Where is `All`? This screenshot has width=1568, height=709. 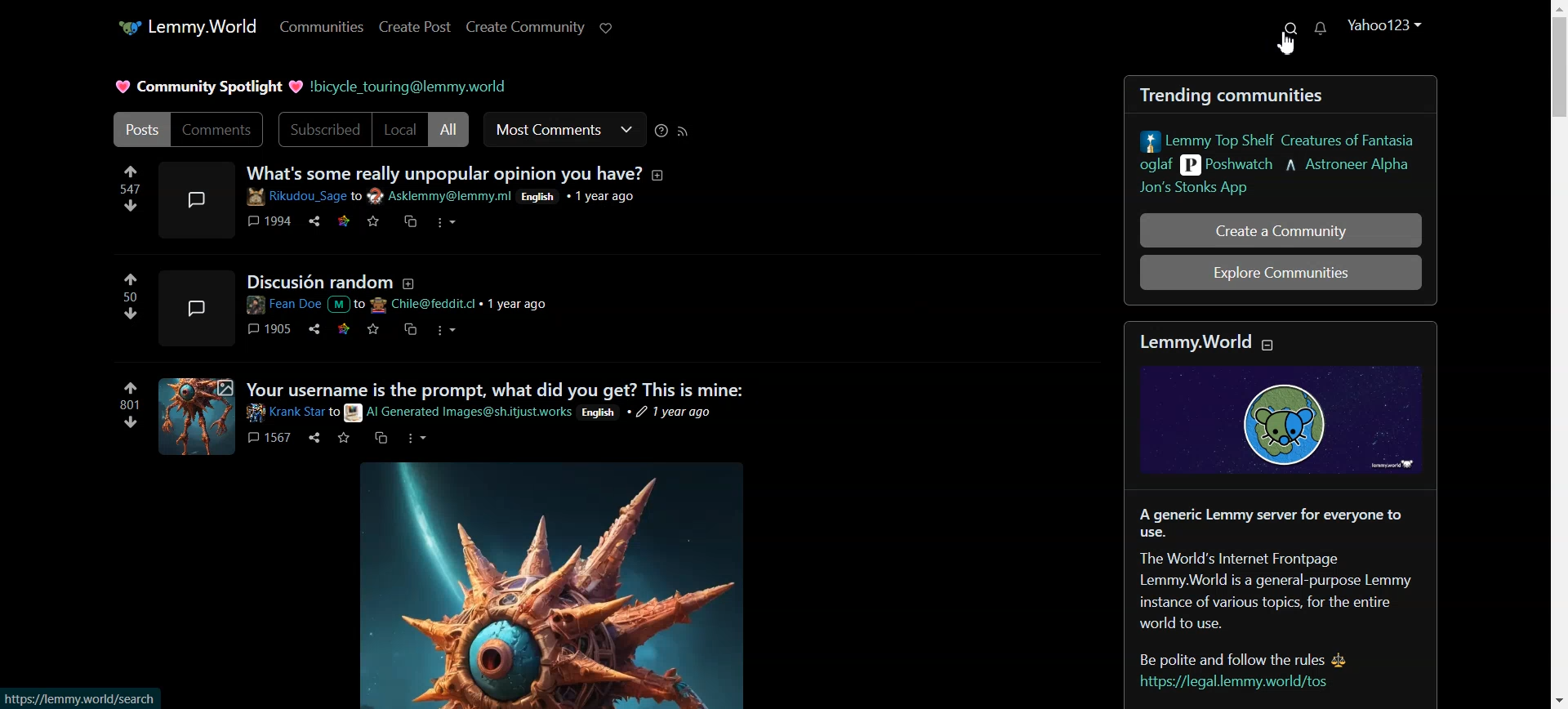 All is located at coordinates (452, 128).